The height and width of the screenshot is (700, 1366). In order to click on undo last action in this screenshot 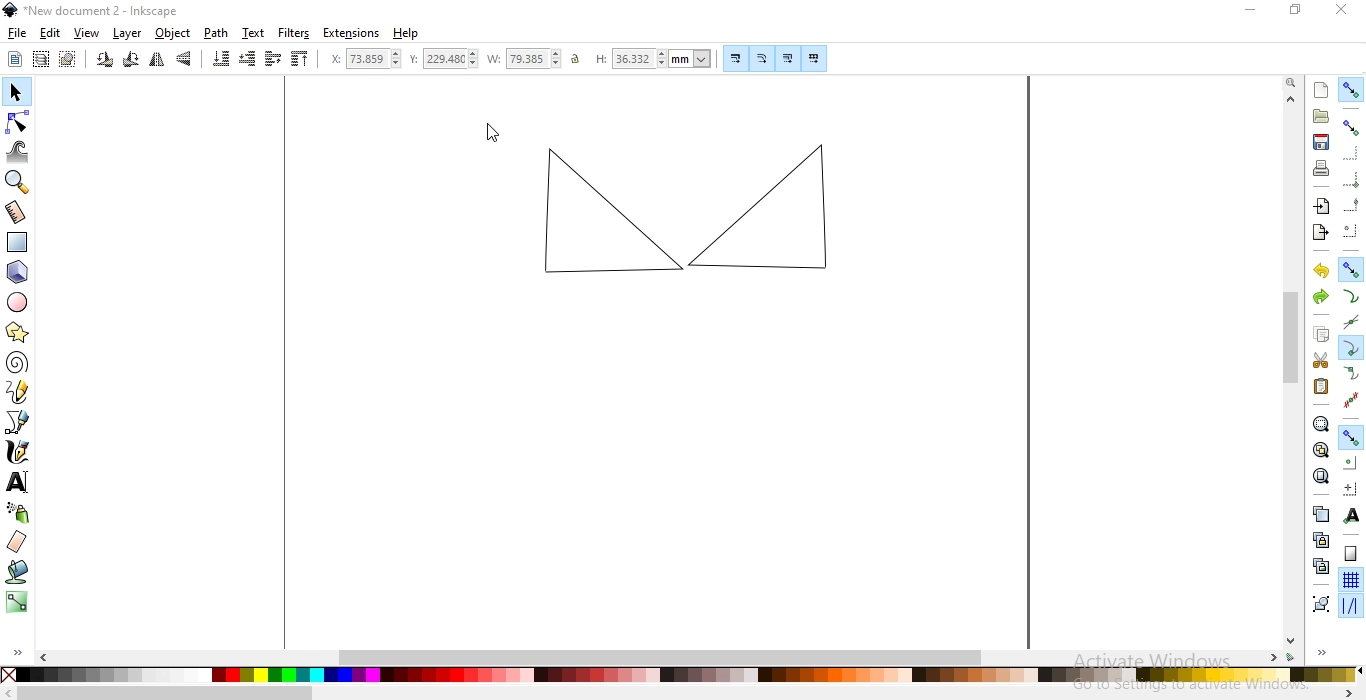, I will do `click(1323, 272)`.